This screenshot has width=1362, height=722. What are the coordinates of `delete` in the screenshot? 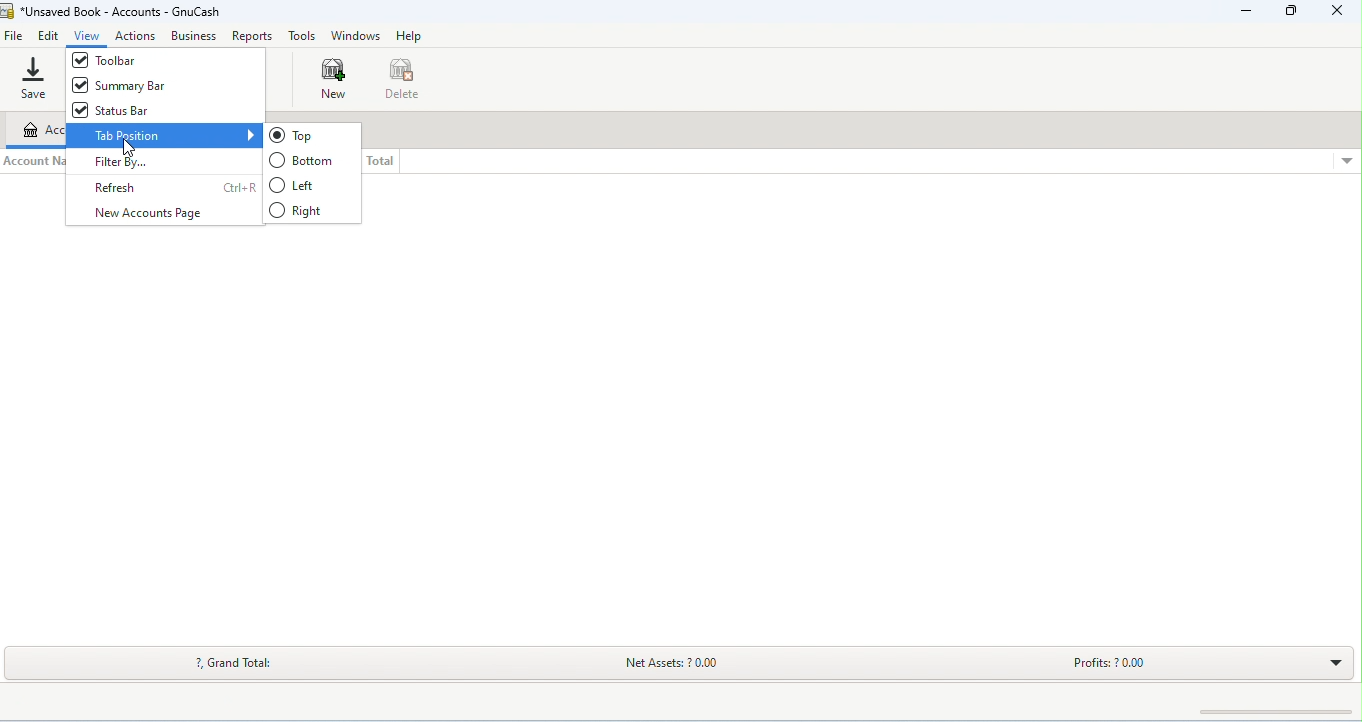 It's located at (405, 77).